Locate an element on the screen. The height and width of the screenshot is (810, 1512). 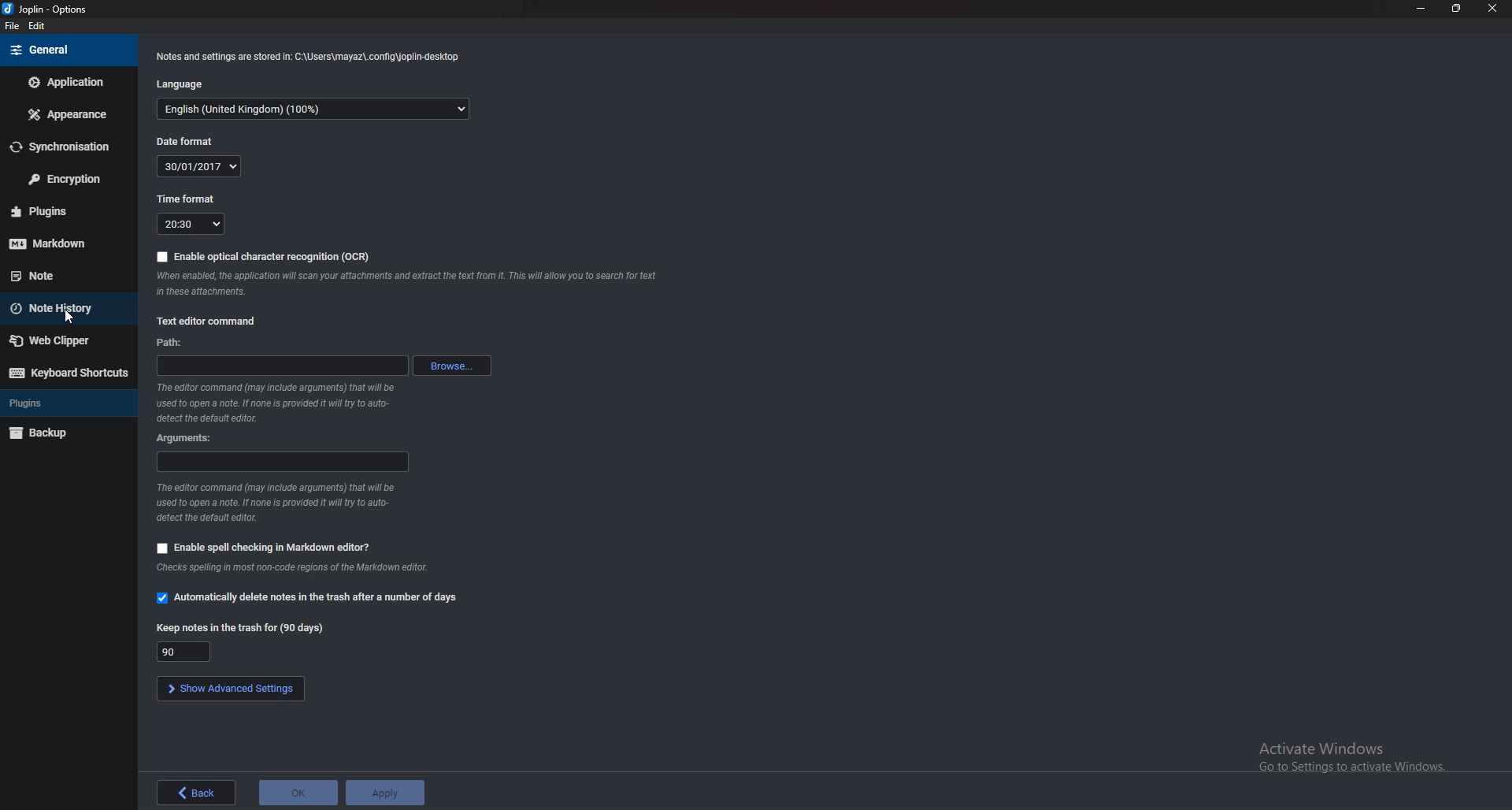
Language is located at coordinates (315, 110).